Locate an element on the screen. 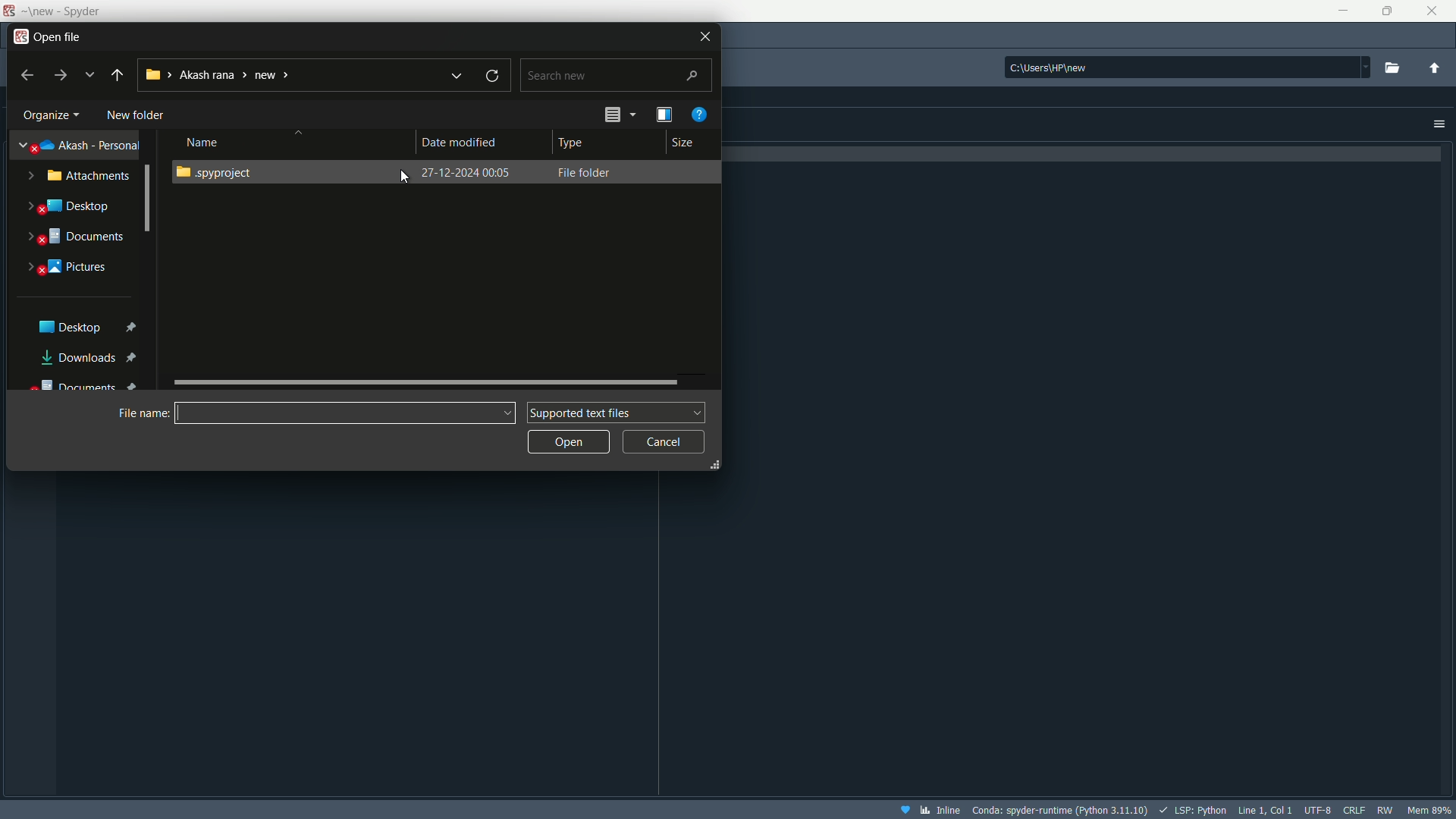 The image size is (1456, 819). Pictures is located at coordinates (73, 268).